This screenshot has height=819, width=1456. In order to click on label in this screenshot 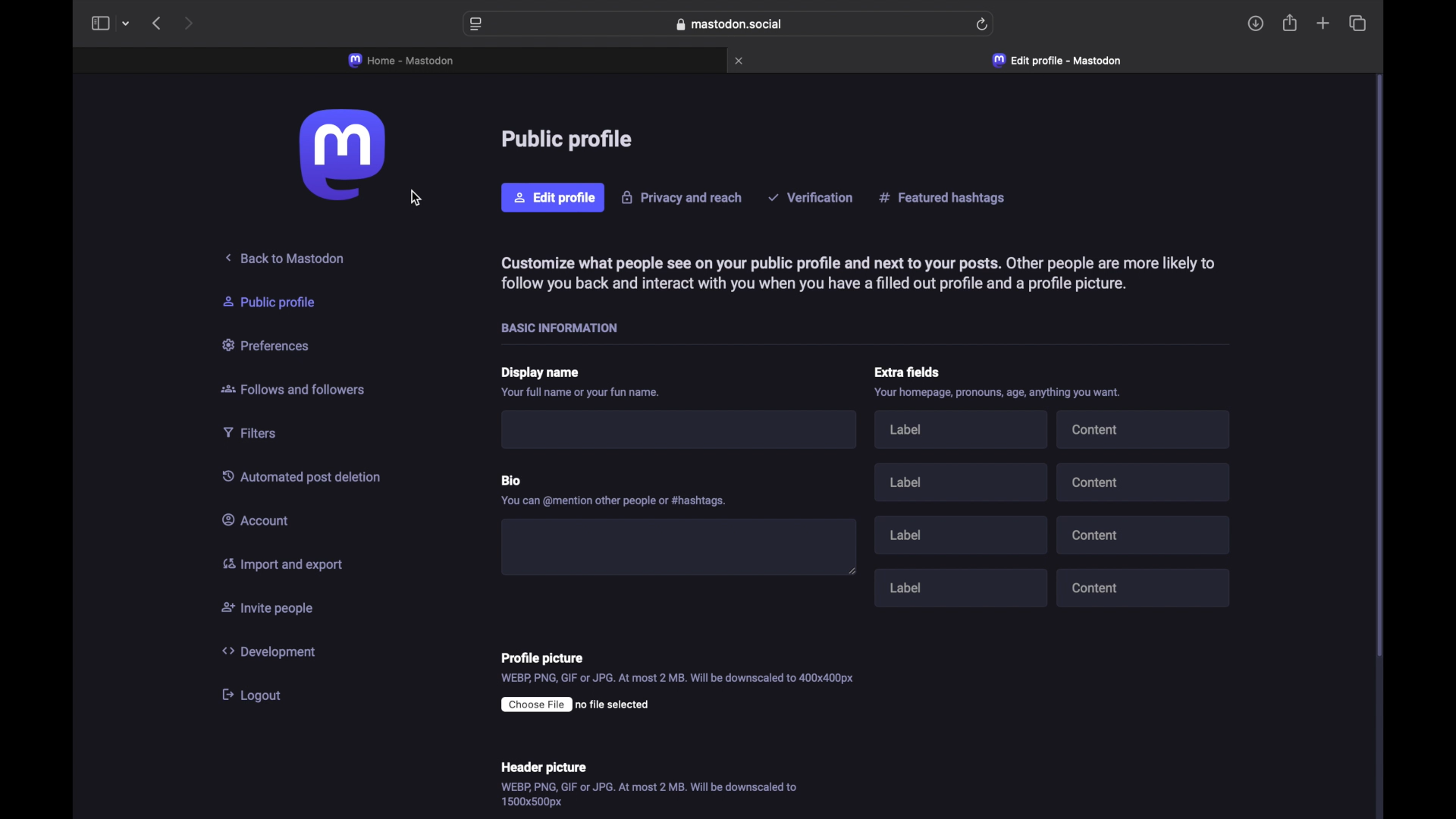, I will do `click(959, 482)`.